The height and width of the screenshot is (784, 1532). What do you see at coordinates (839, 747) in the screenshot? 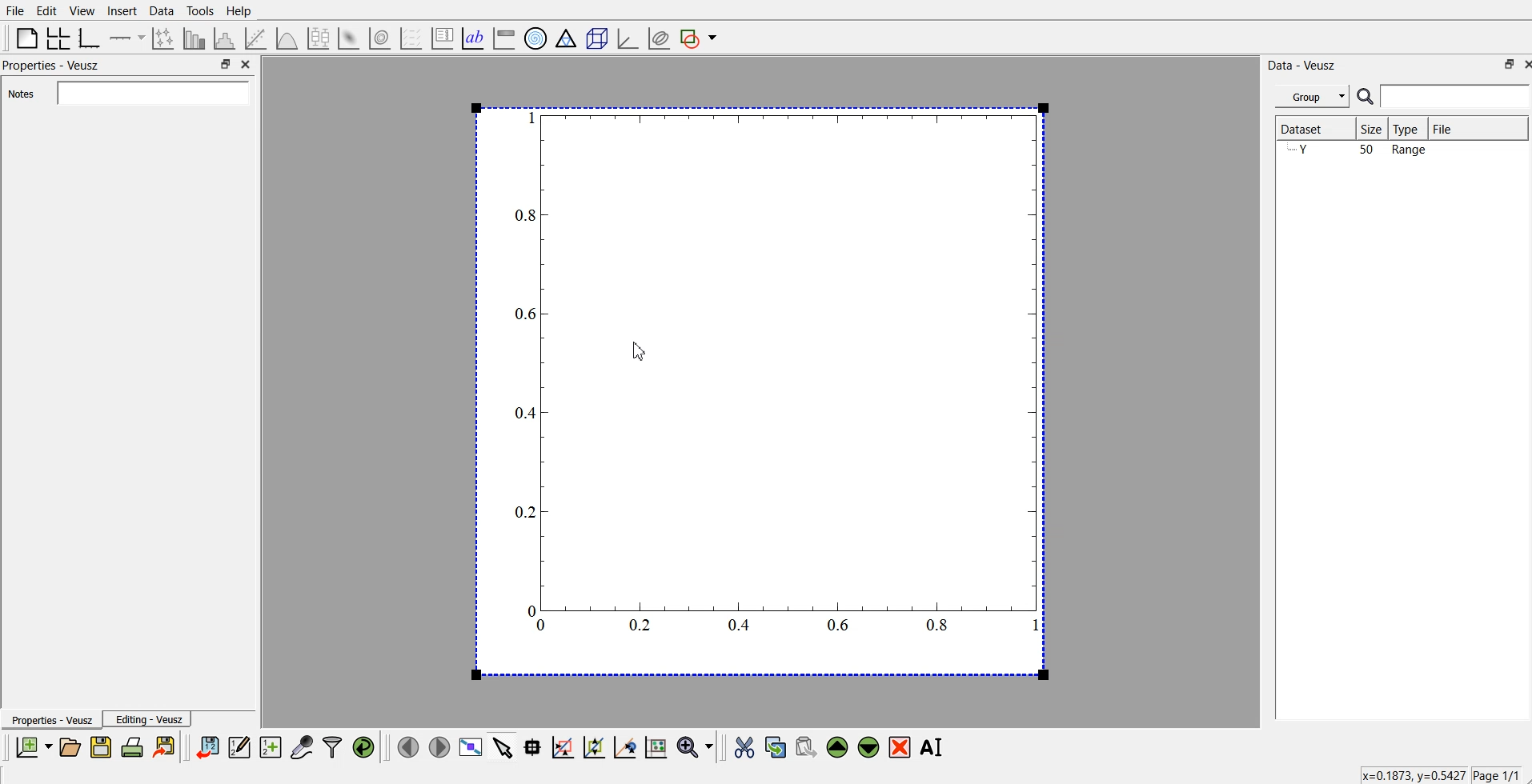
I see `move the selected widgets up` at bounding box center [839, 747].